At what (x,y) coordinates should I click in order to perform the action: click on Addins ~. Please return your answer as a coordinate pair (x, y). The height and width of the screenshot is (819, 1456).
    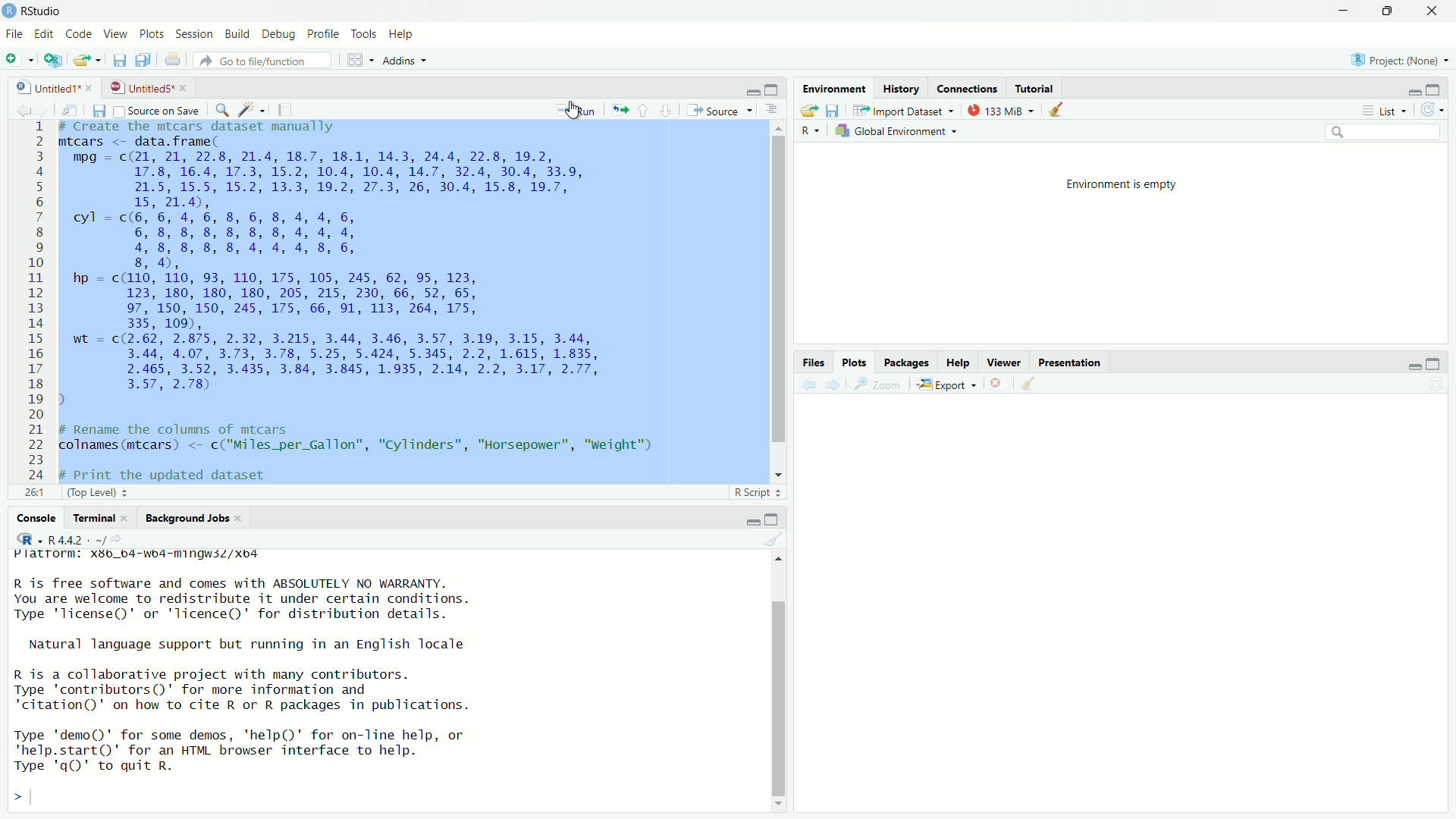
    Looking at the image, I should click on (404, 62).